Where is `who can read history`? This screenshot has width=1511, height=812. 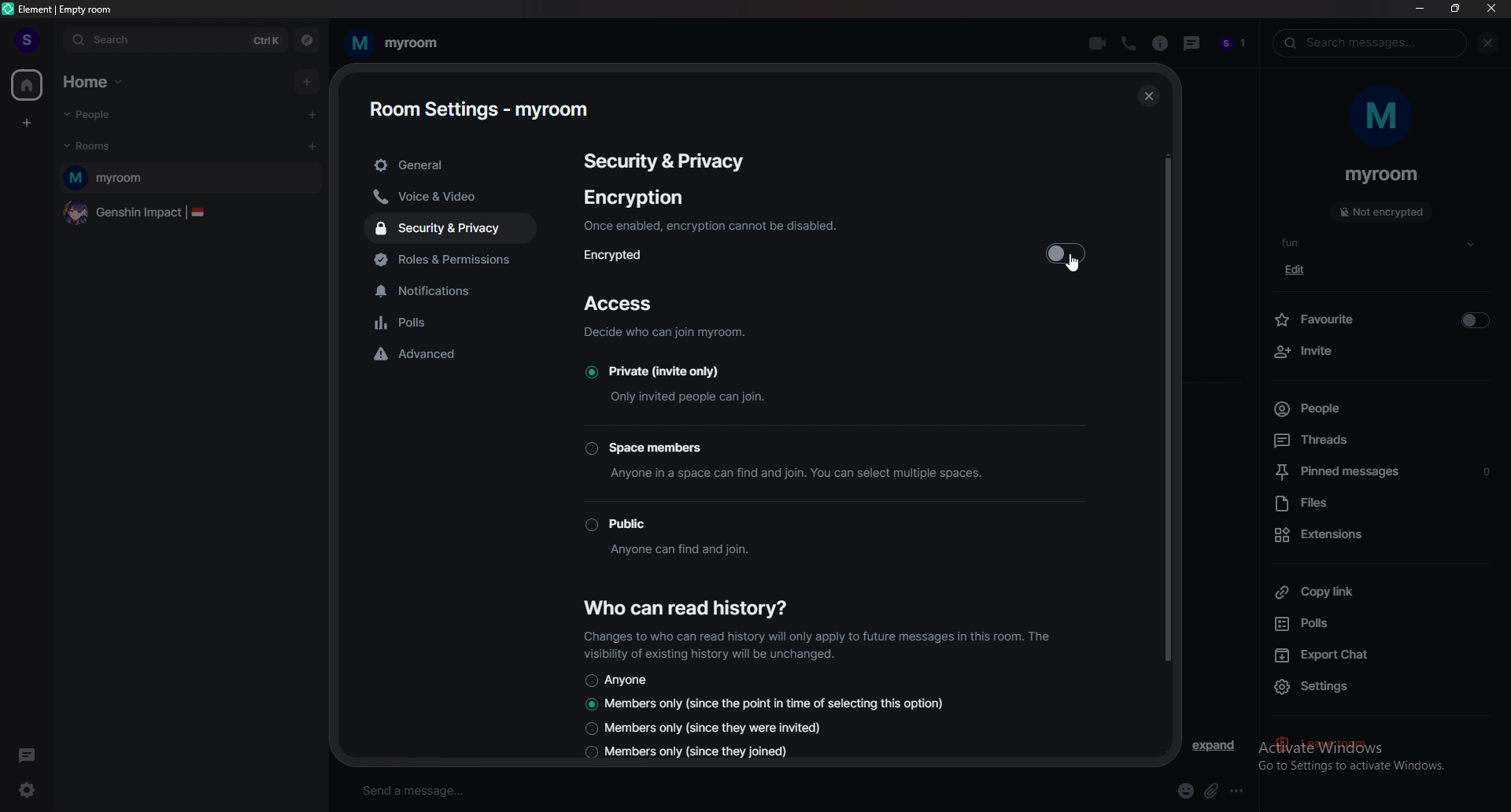 who can read history is located at coordinates (694, 606).